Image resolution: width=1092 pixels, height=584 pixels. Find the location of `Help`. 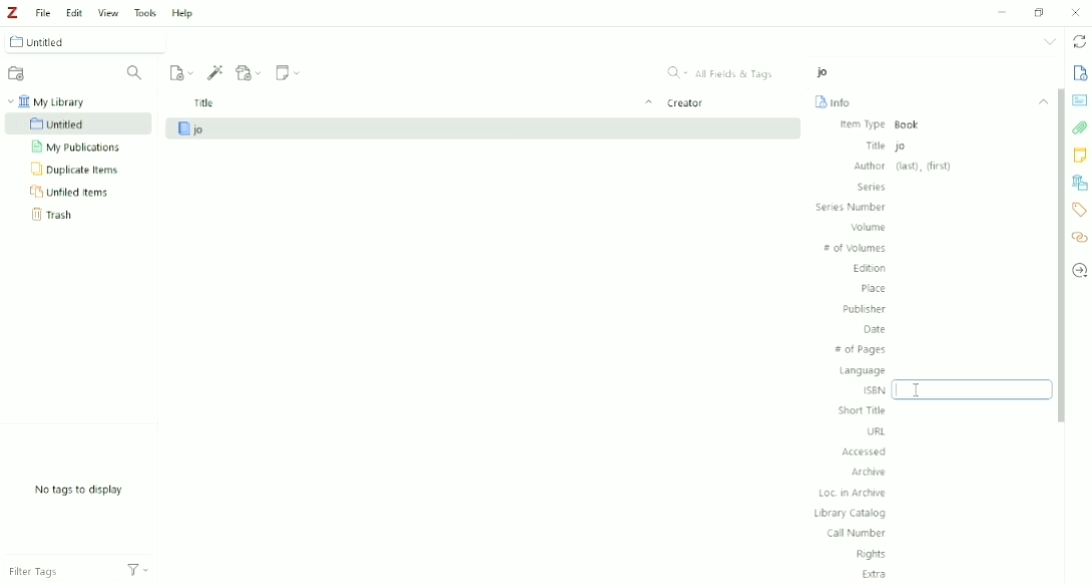

Help is located at coordinates (184, 14).